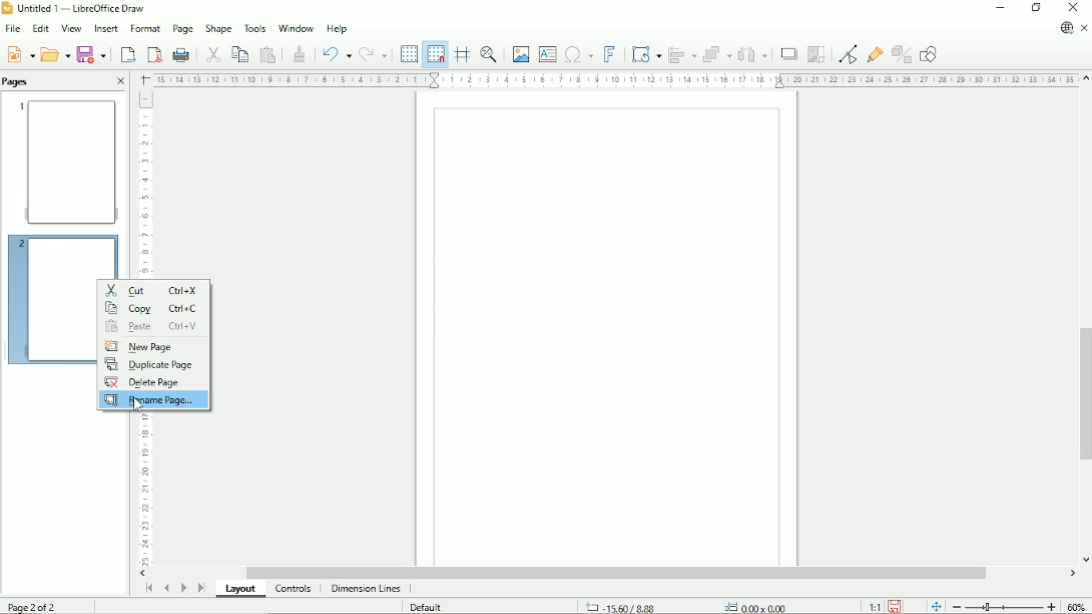 The width and height of the screenshot is (1092, 614). What do you see at coordinates (648, 54) in the screenshot?
I see `Transformation` at bounding box center [648, 54].